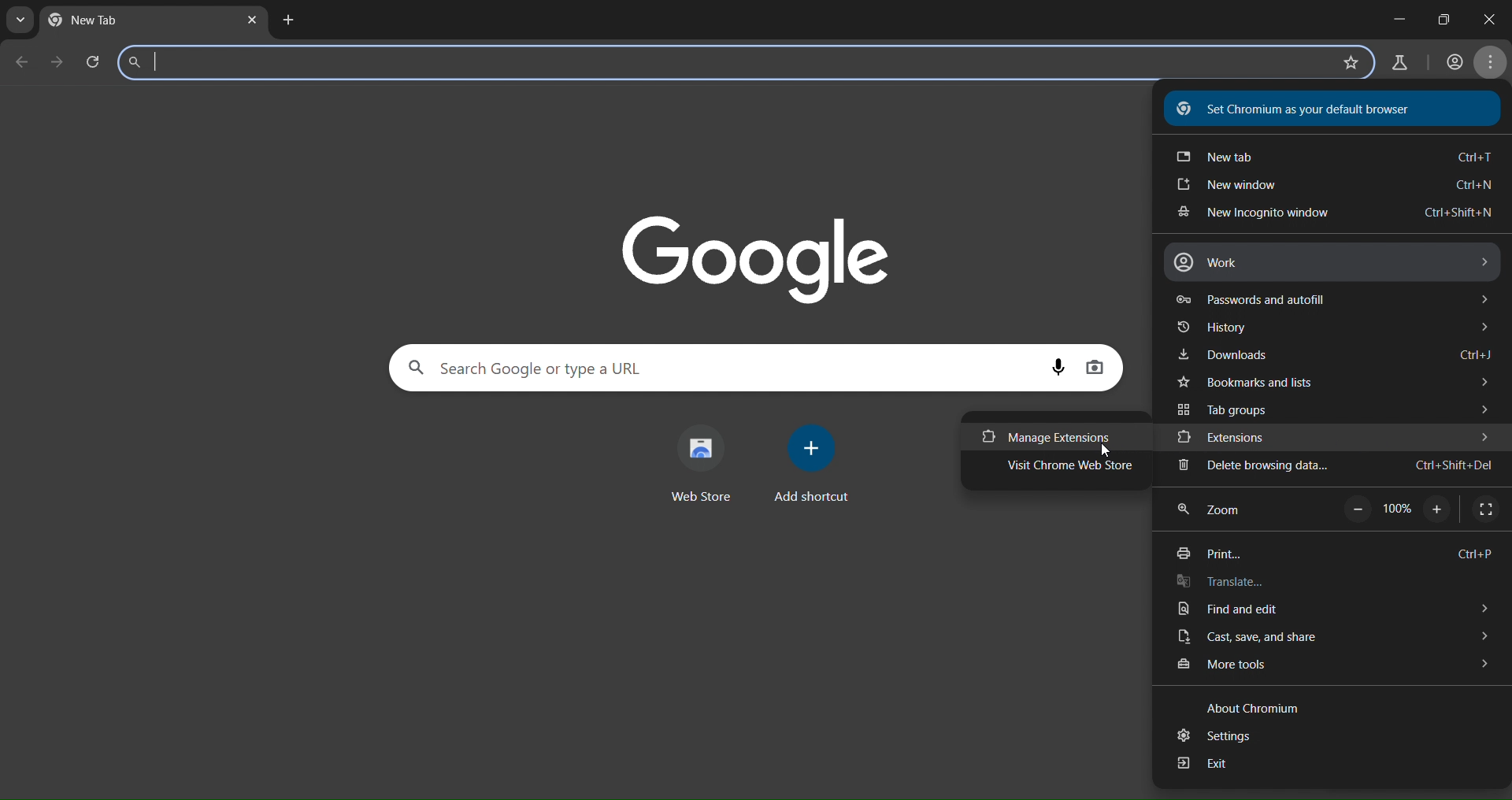 This screenshot has width=1512, height=800. I want to click on voice search, so click(1058, 365).